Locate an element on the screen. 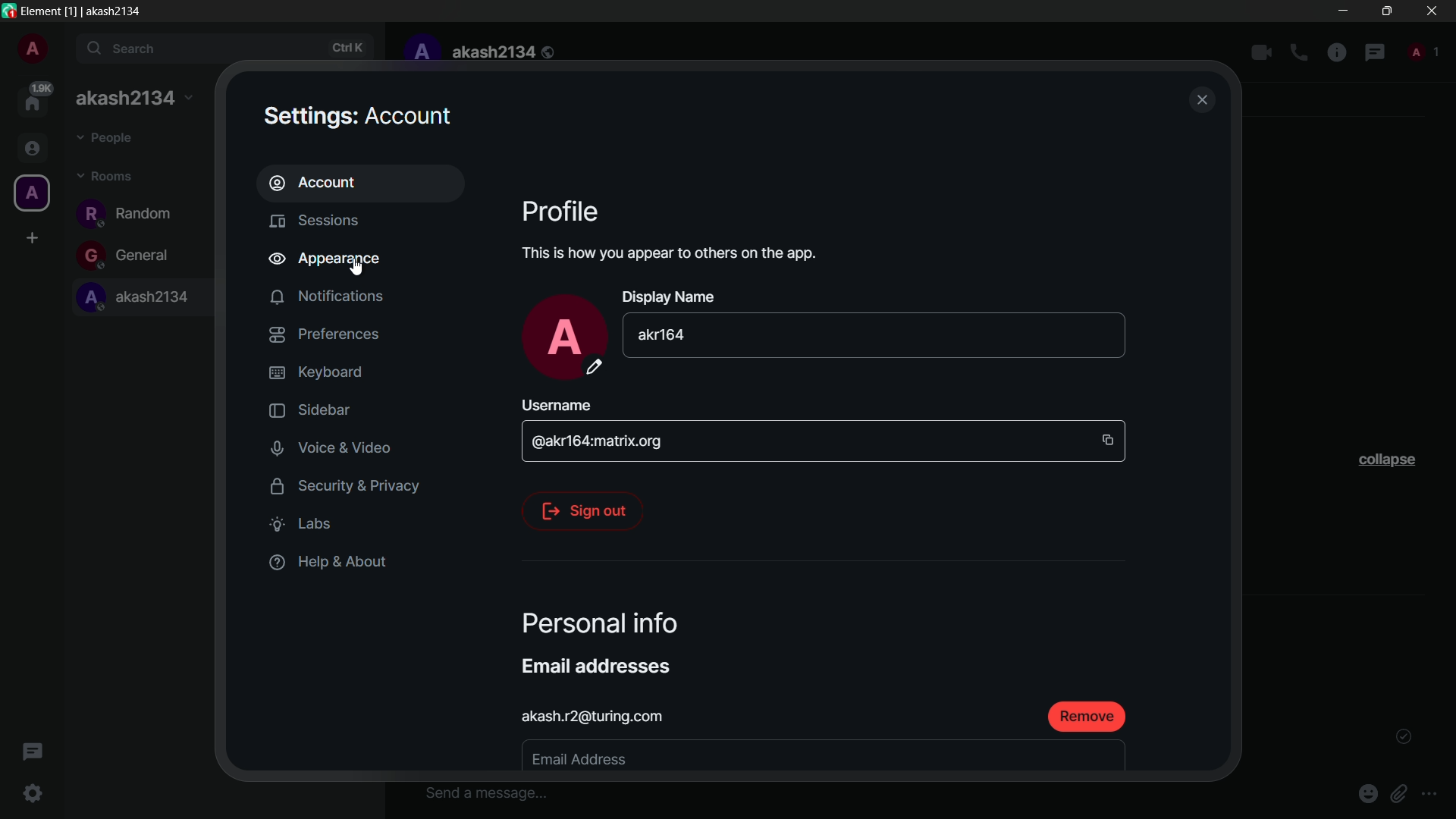  cursor is located at coordinates (357, 270).